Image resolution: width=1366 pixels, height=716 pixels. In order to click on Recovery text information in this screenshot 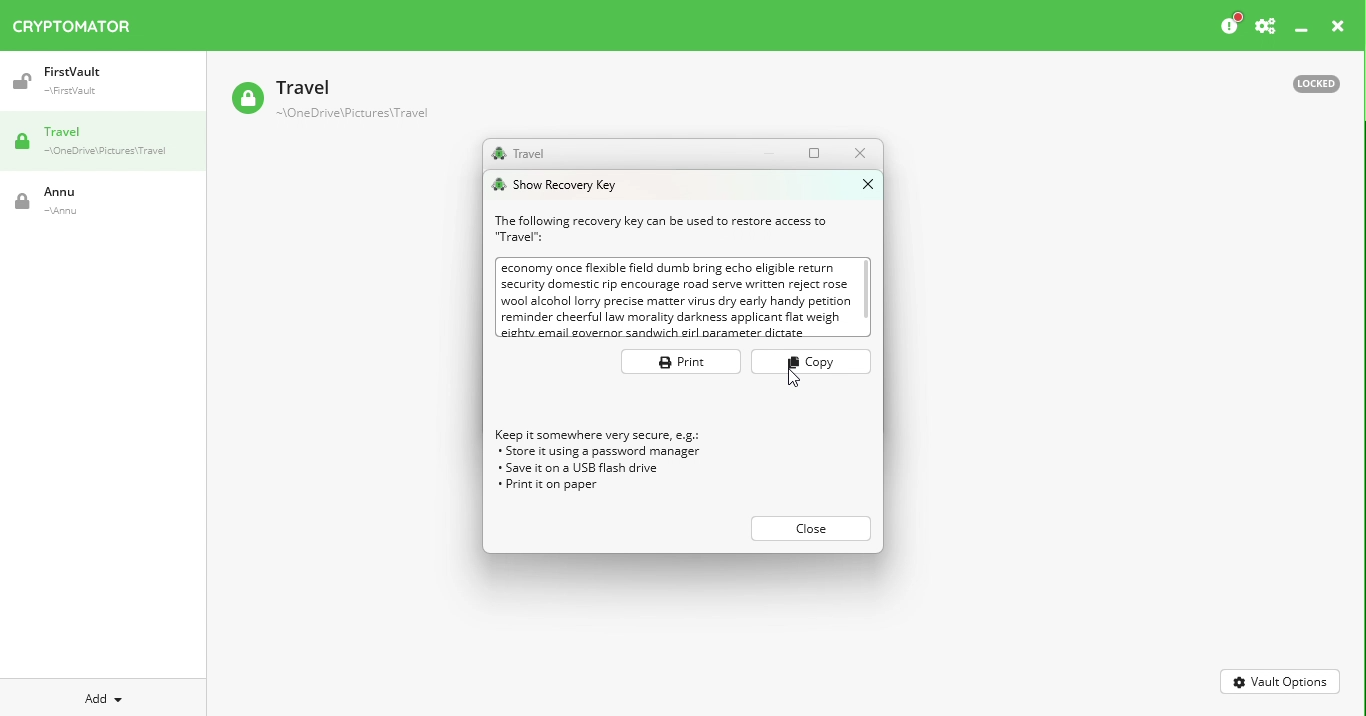, I will do `click(664, 228)`.